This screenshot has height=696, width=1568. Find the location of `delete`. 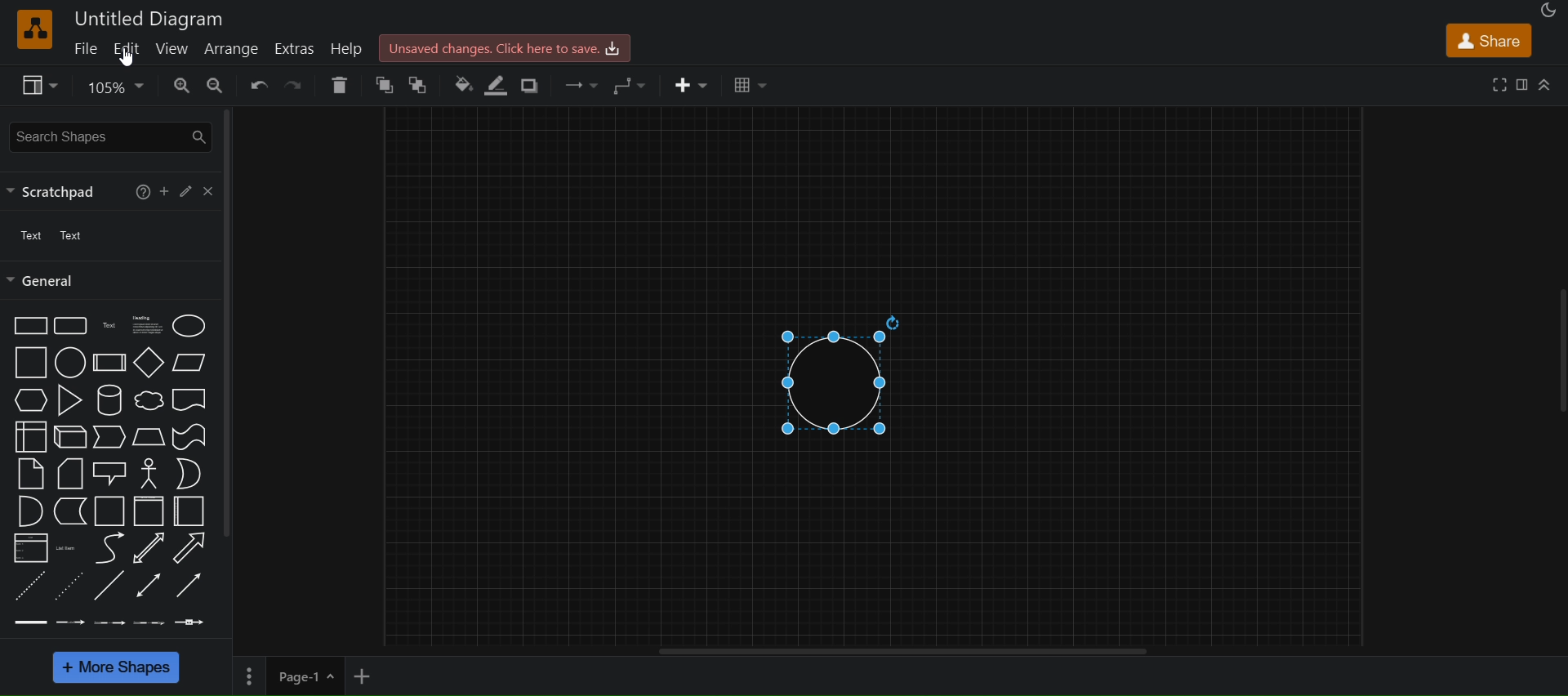

delete is located at coordinates (341, 83).